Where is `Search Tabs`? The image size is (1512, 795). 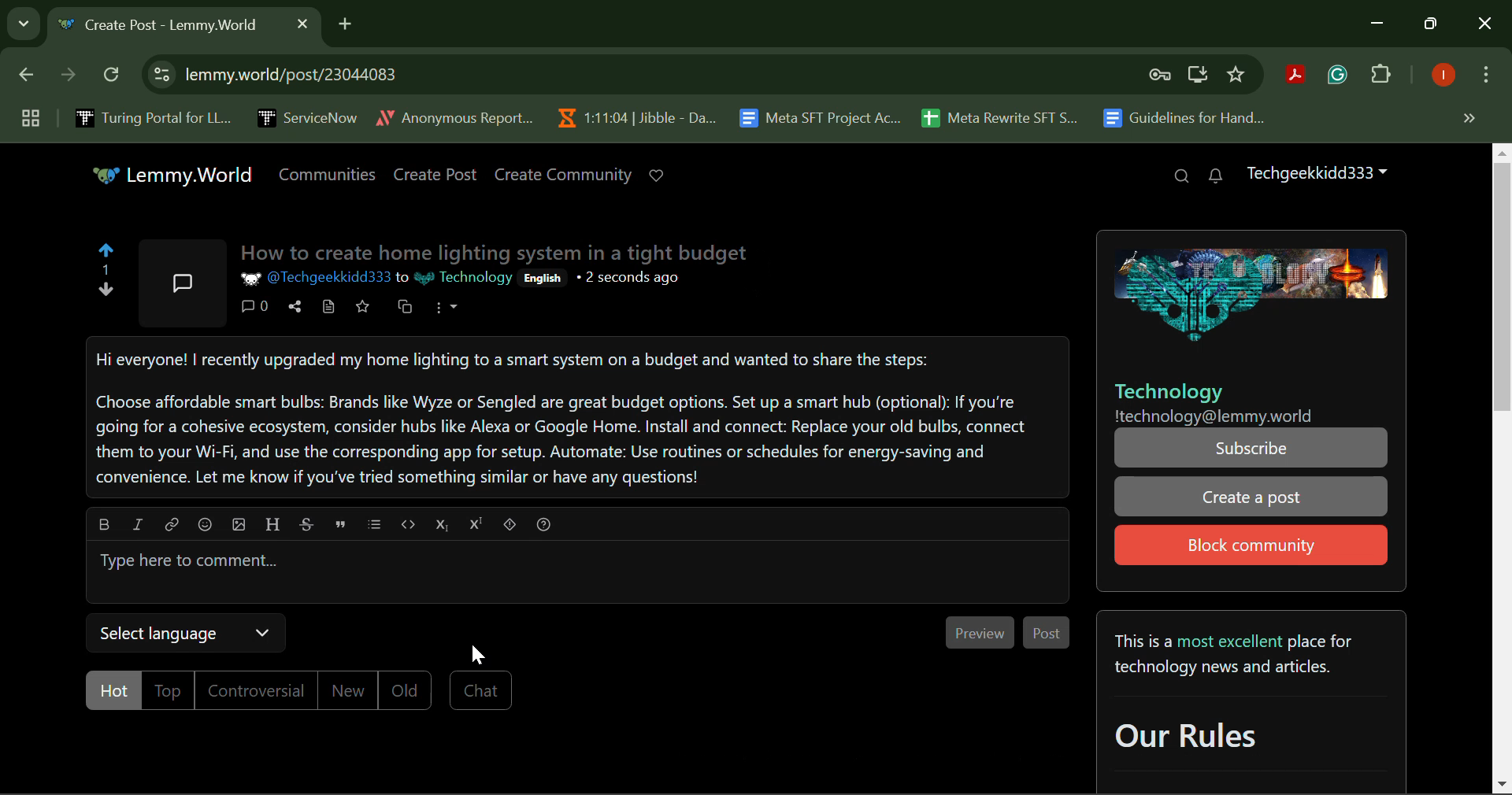 Search Tabs is located at coordinates (20, 21).